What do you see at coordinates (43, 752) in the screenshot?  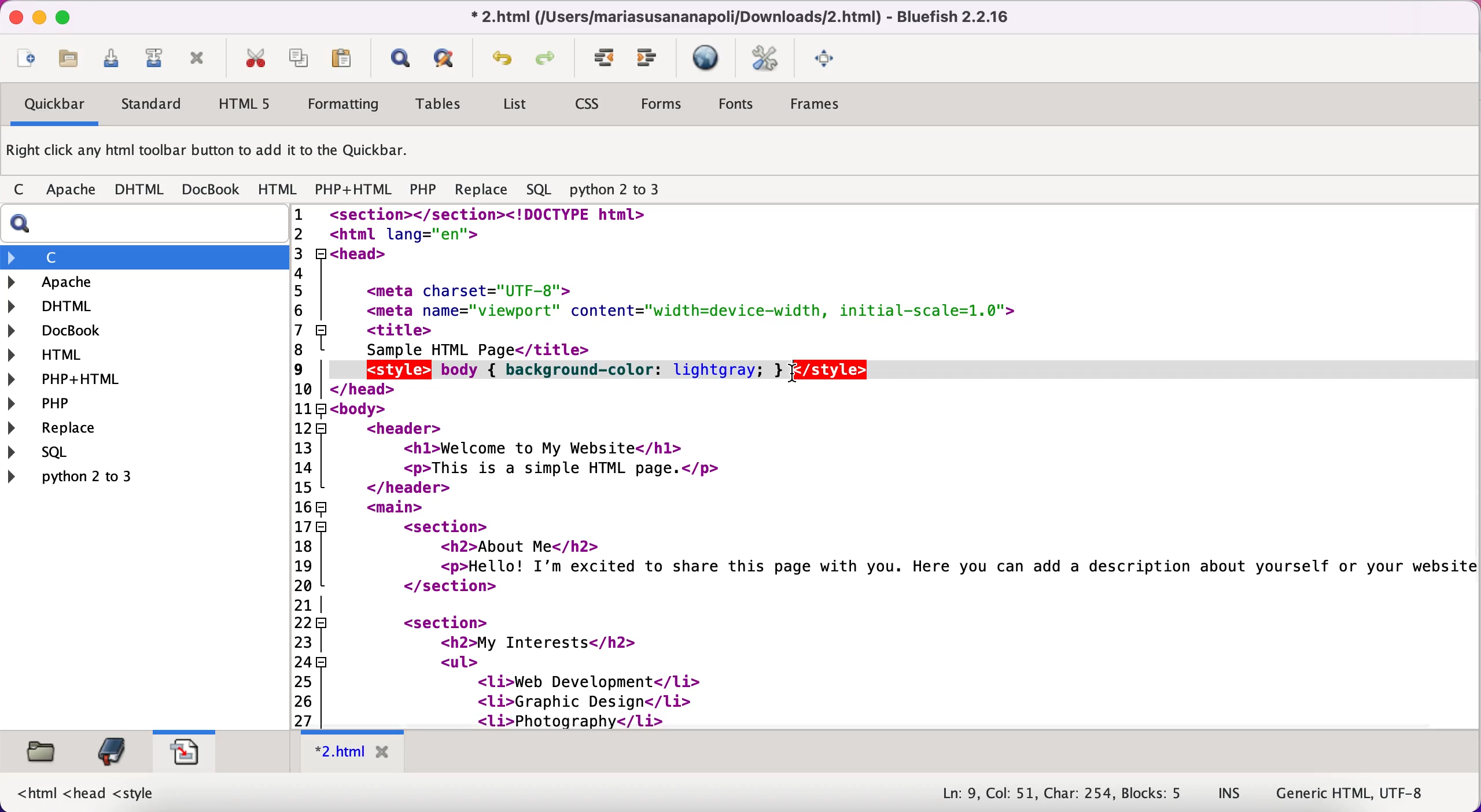 I see `filebrowser` at bounding box center [43, 752].